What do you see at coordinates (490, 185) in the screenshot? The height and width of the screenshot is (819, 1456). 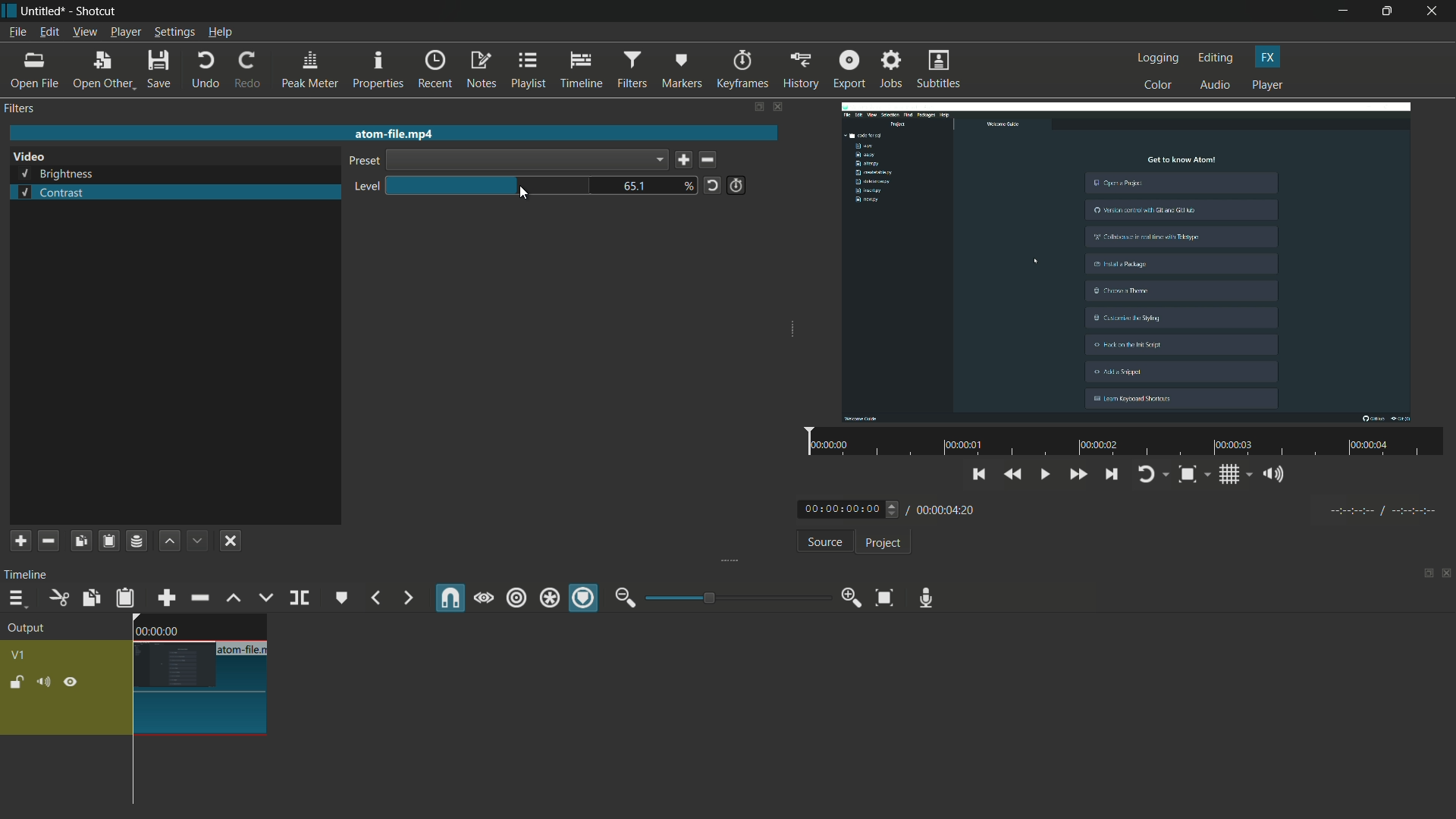 I see `brightness bar` at bounding box center [490, 185].